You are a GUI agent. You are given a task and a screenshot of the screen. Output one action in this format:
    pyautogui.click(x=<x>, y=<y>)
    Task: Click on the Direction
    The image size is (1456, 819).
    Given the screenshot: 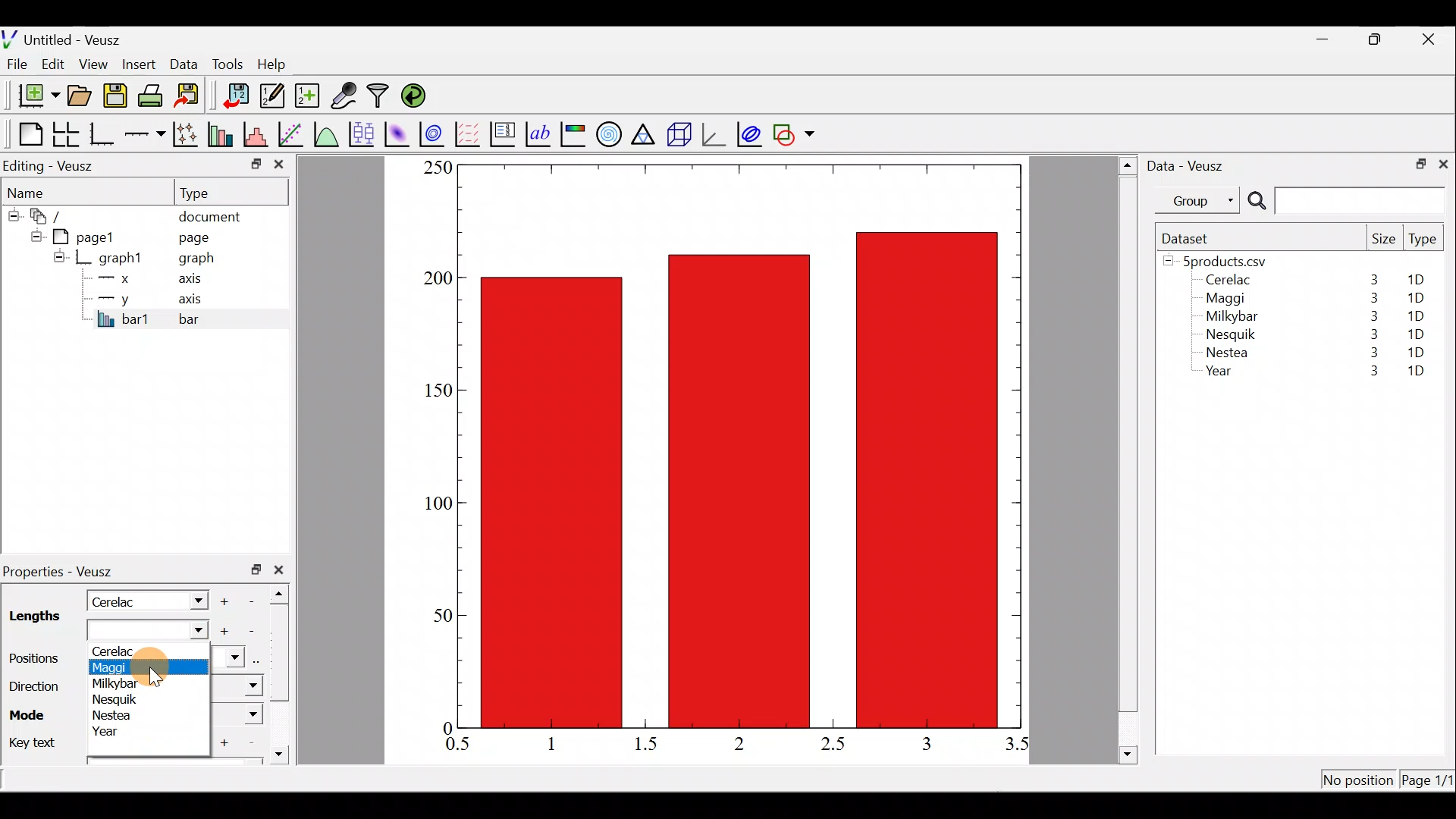 What is the action you would take?
    pyautogui.click(x=32, y=682)
    